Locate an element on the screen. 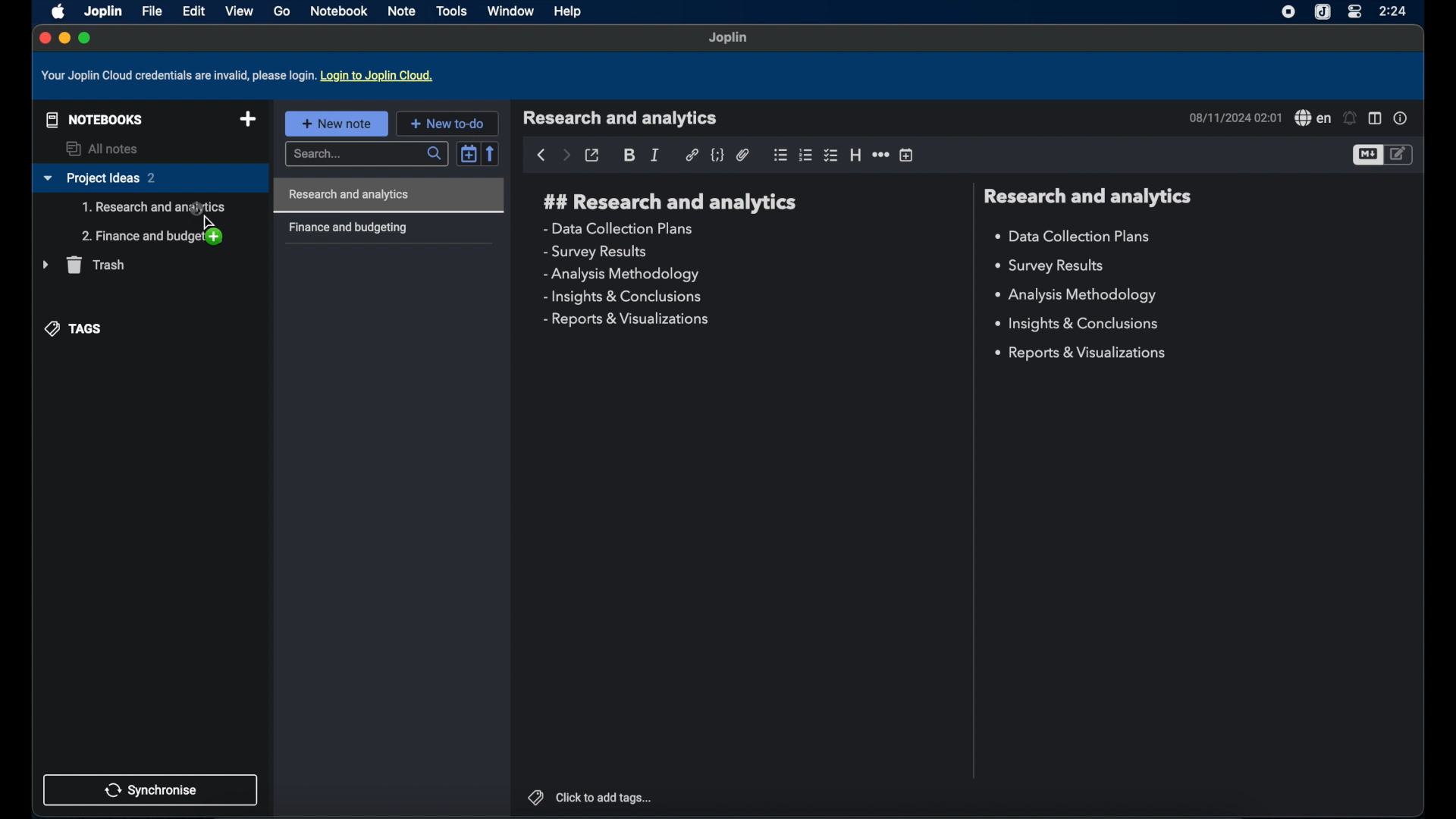  08/11/2024 02:01 is located at coordinates (1234, 118).